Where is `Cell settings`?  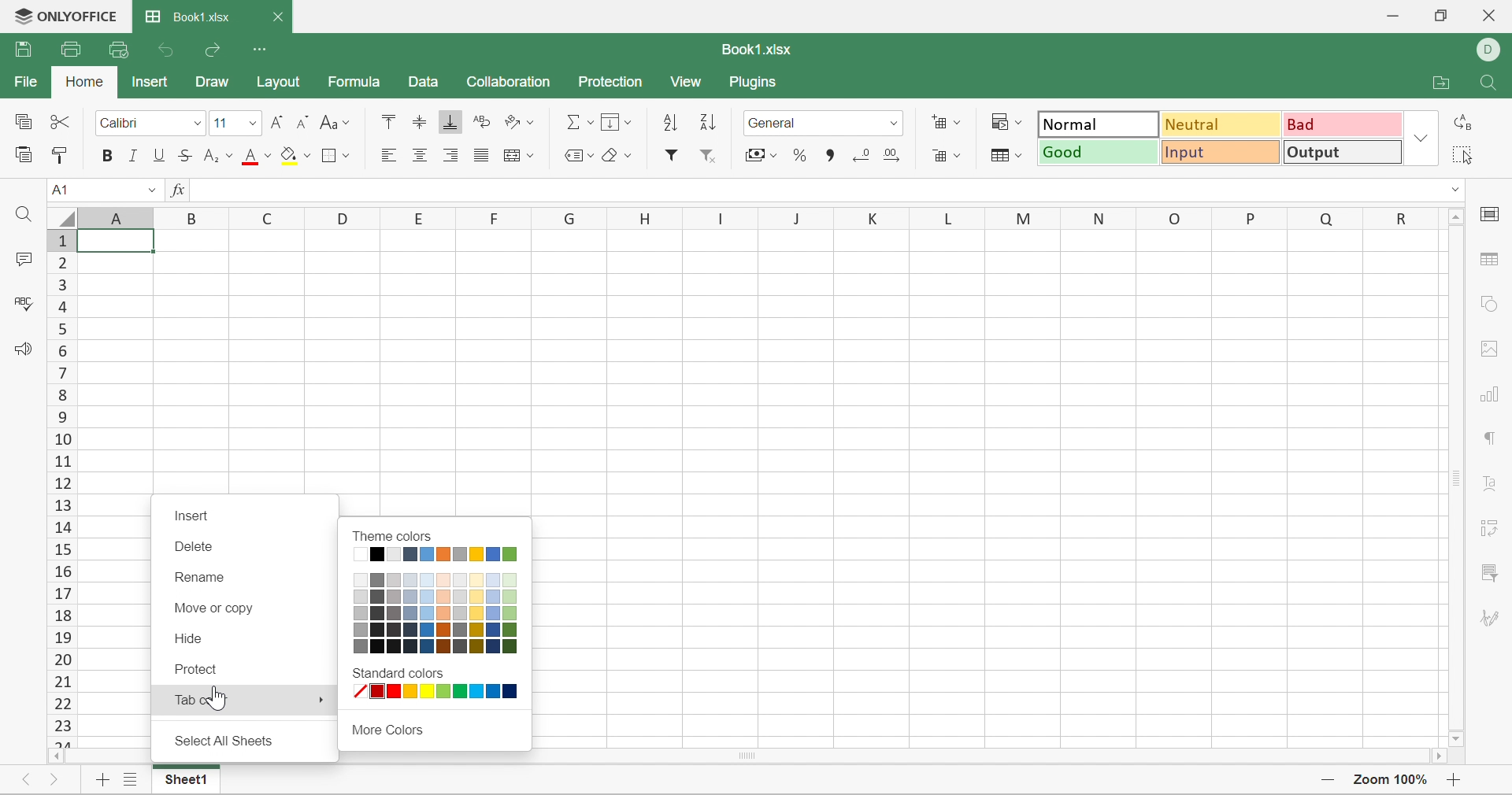 Cell settings is located at coordinates (1491, 216).